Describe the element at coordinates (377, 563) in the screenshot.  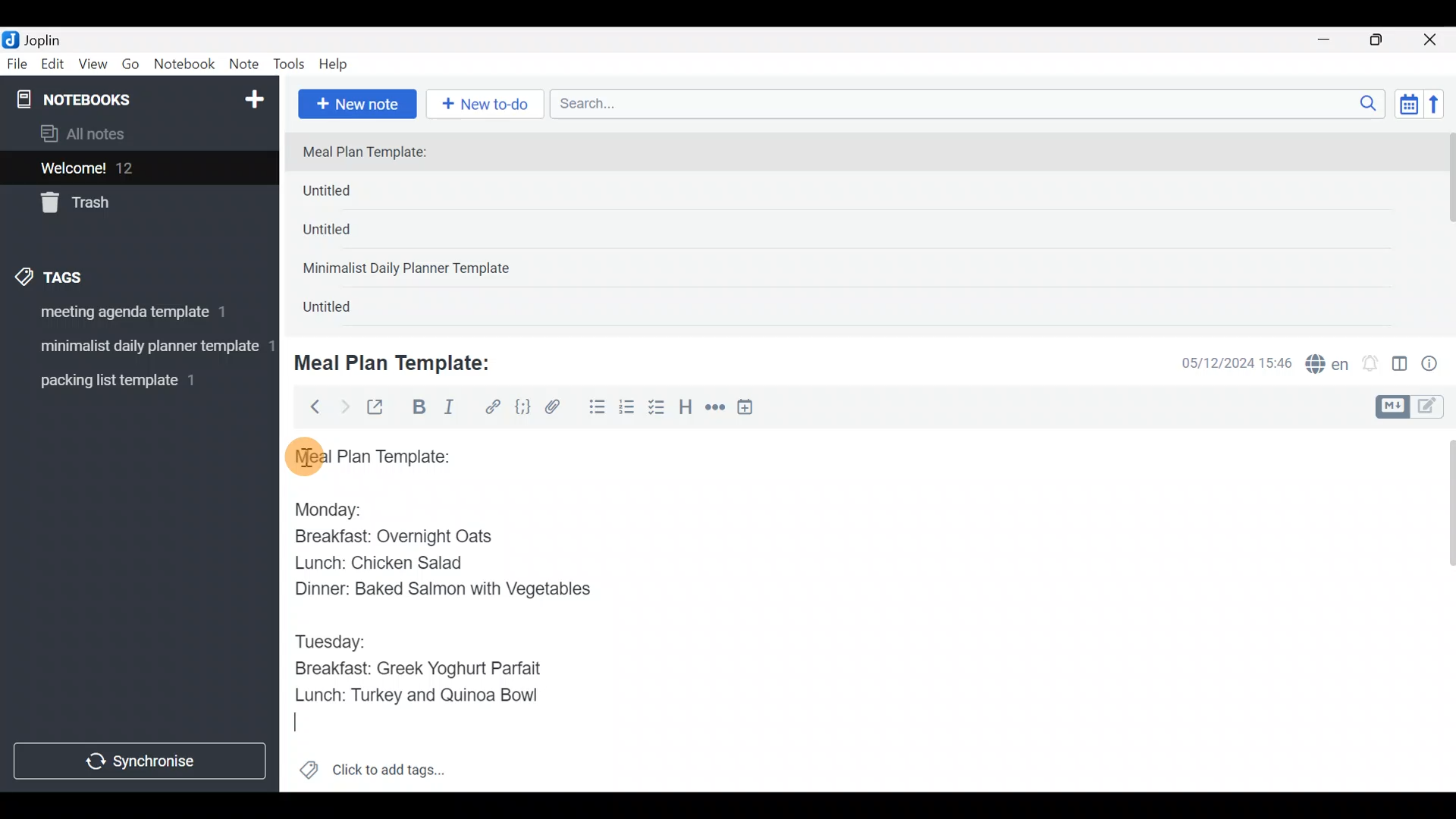
I see `Lunch: Chicken Salad` at that location.